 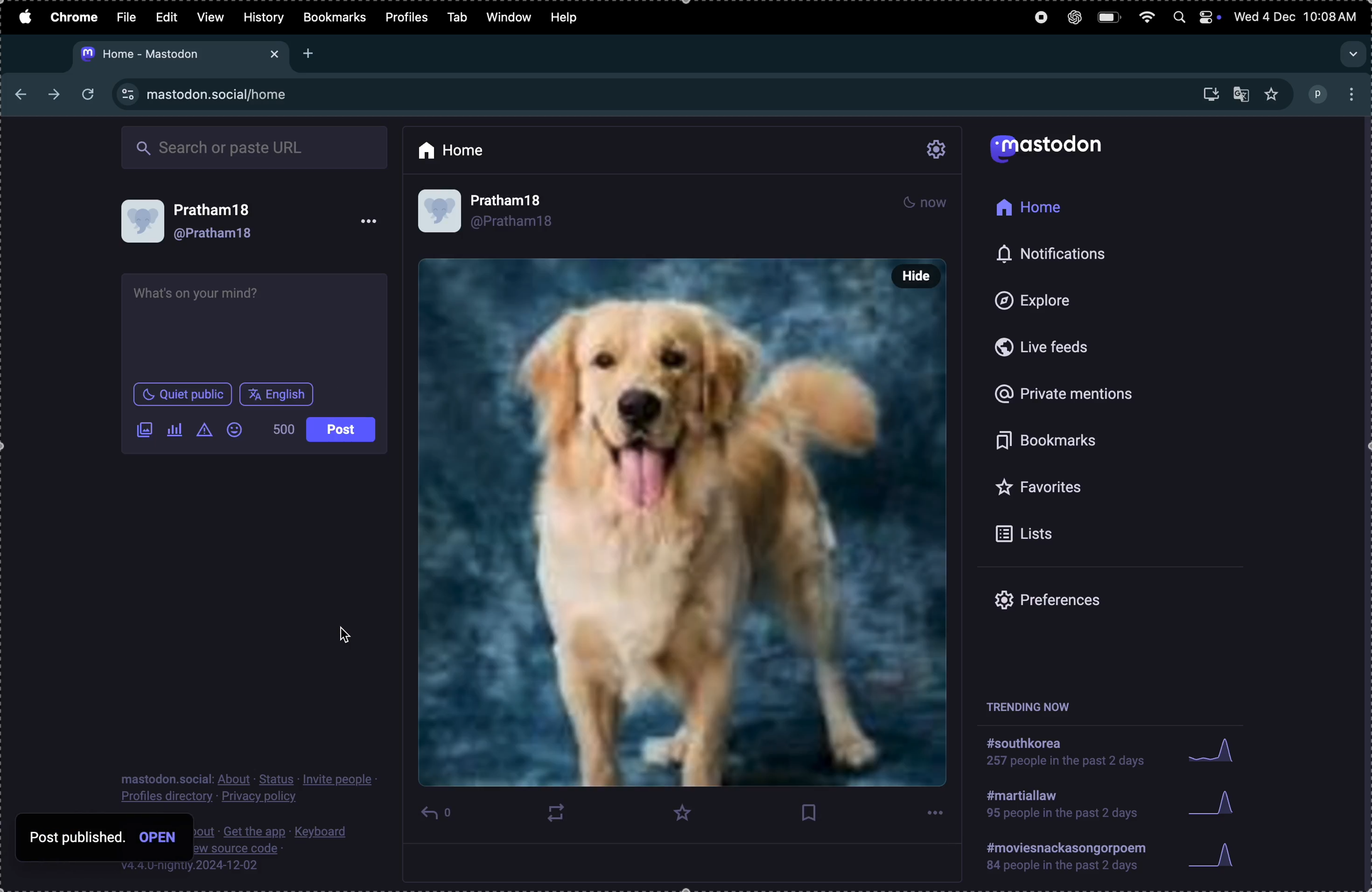 What do you see at coordinates (1036, 20) in the screenshot?
I see `record` at bounding box center [1036, 20].